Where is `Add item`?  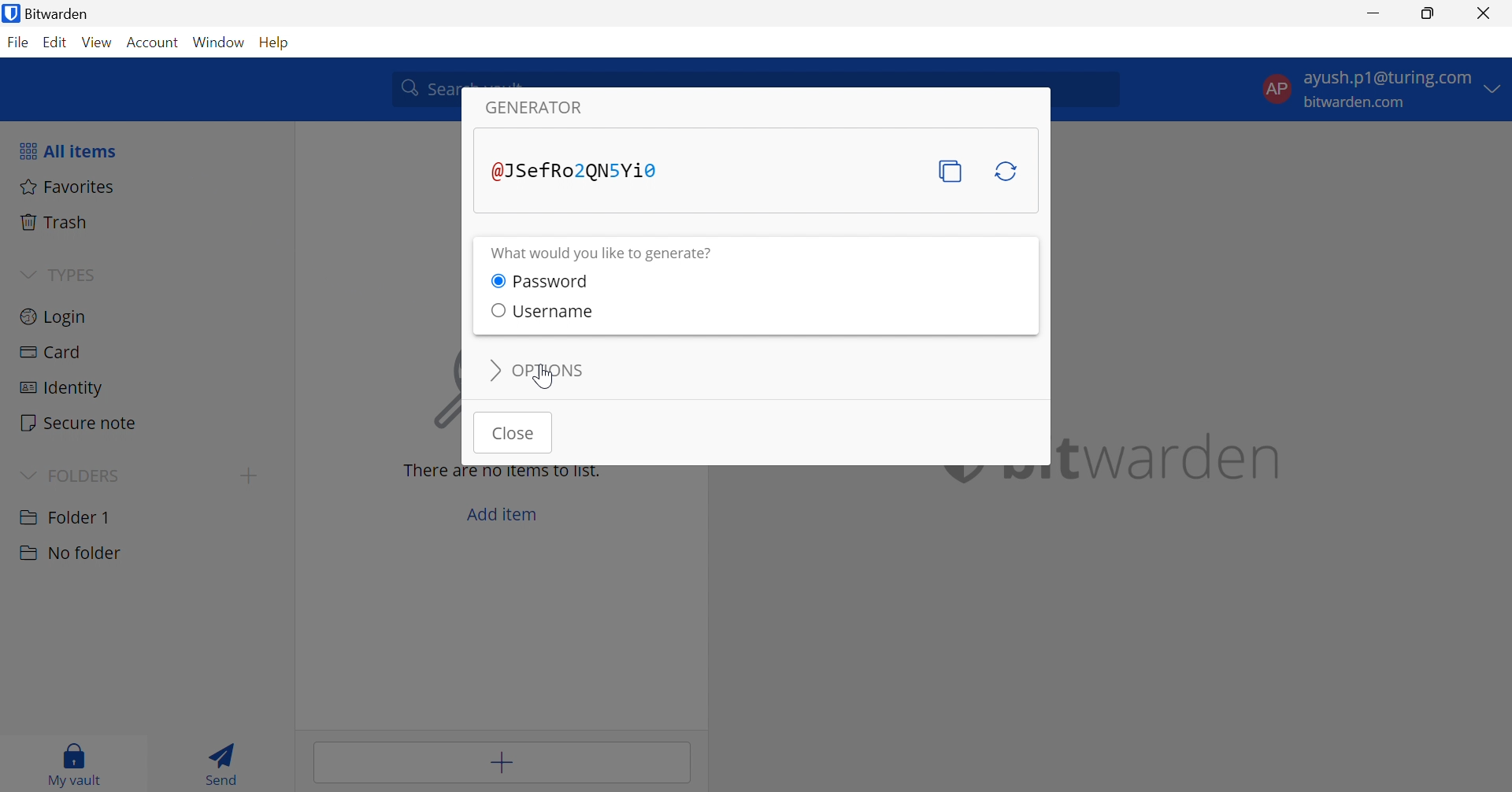
Add item is located at coordinates (502, 764).